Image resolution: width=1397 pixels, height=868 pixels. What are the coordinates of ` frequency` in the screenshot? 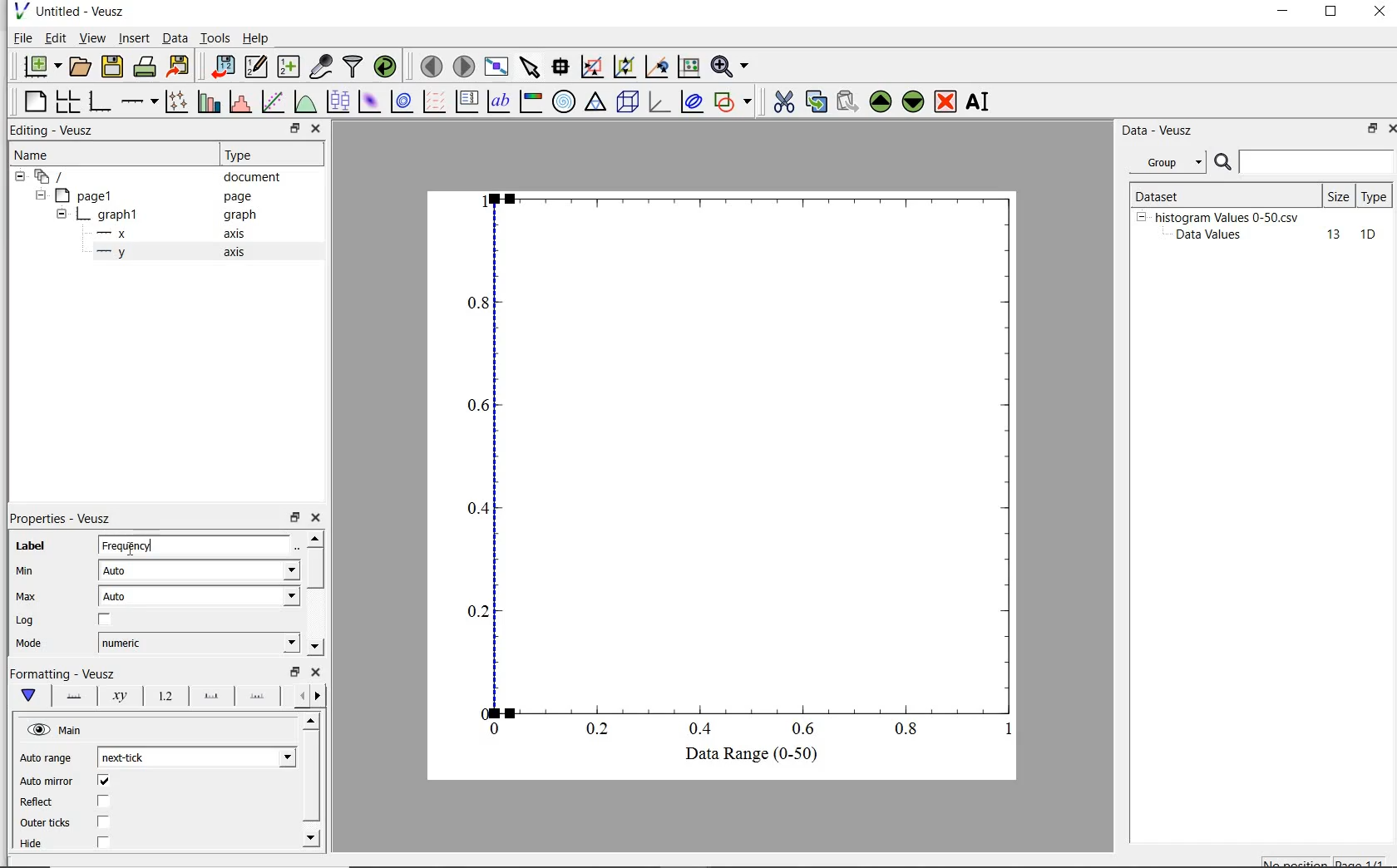 It's located at (195, 546).